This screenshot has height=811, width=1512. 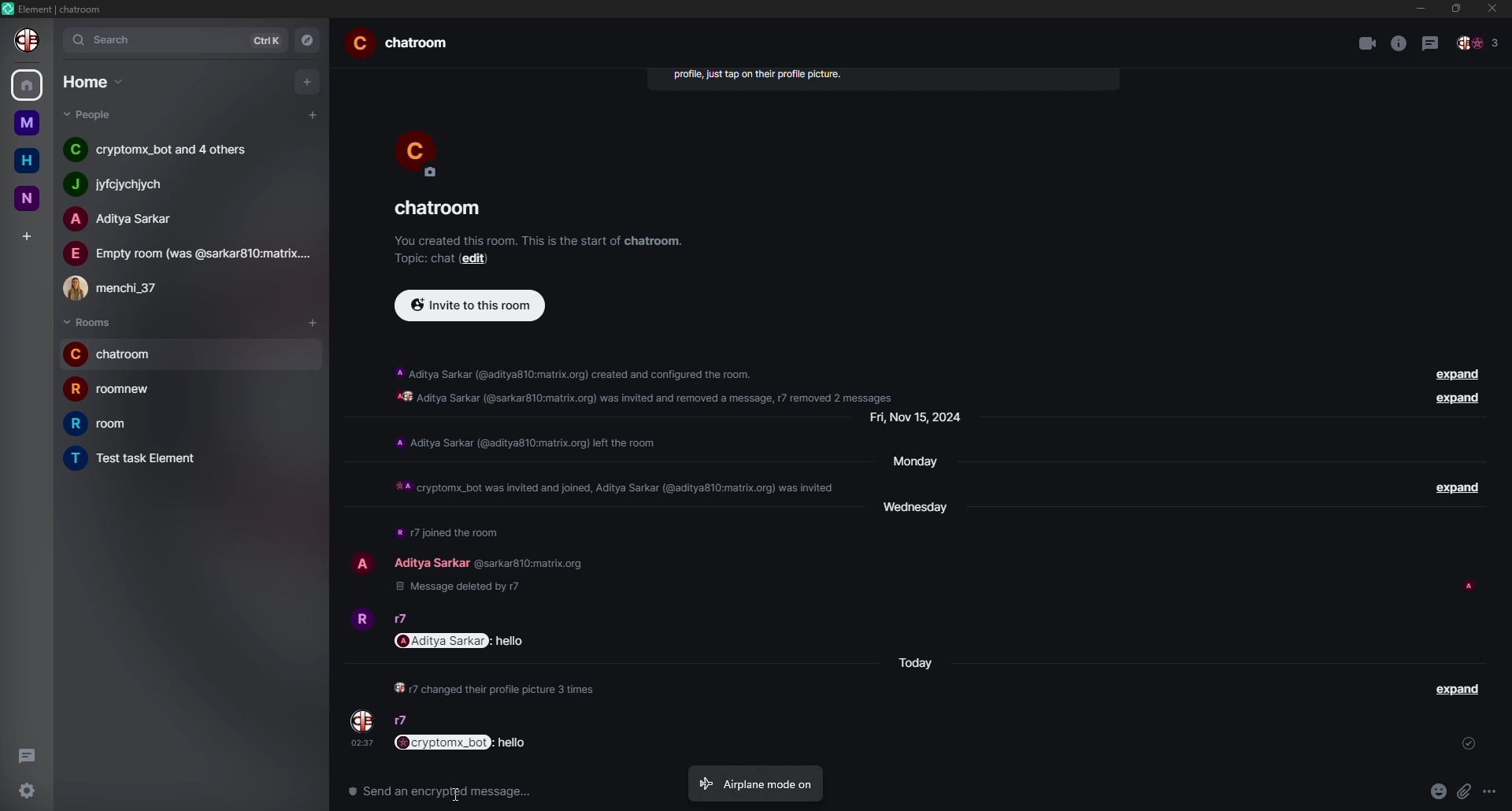 What do you see at coordinates (28, 86) in the screenshot?
I see `home` at bounding box center [28, 86].